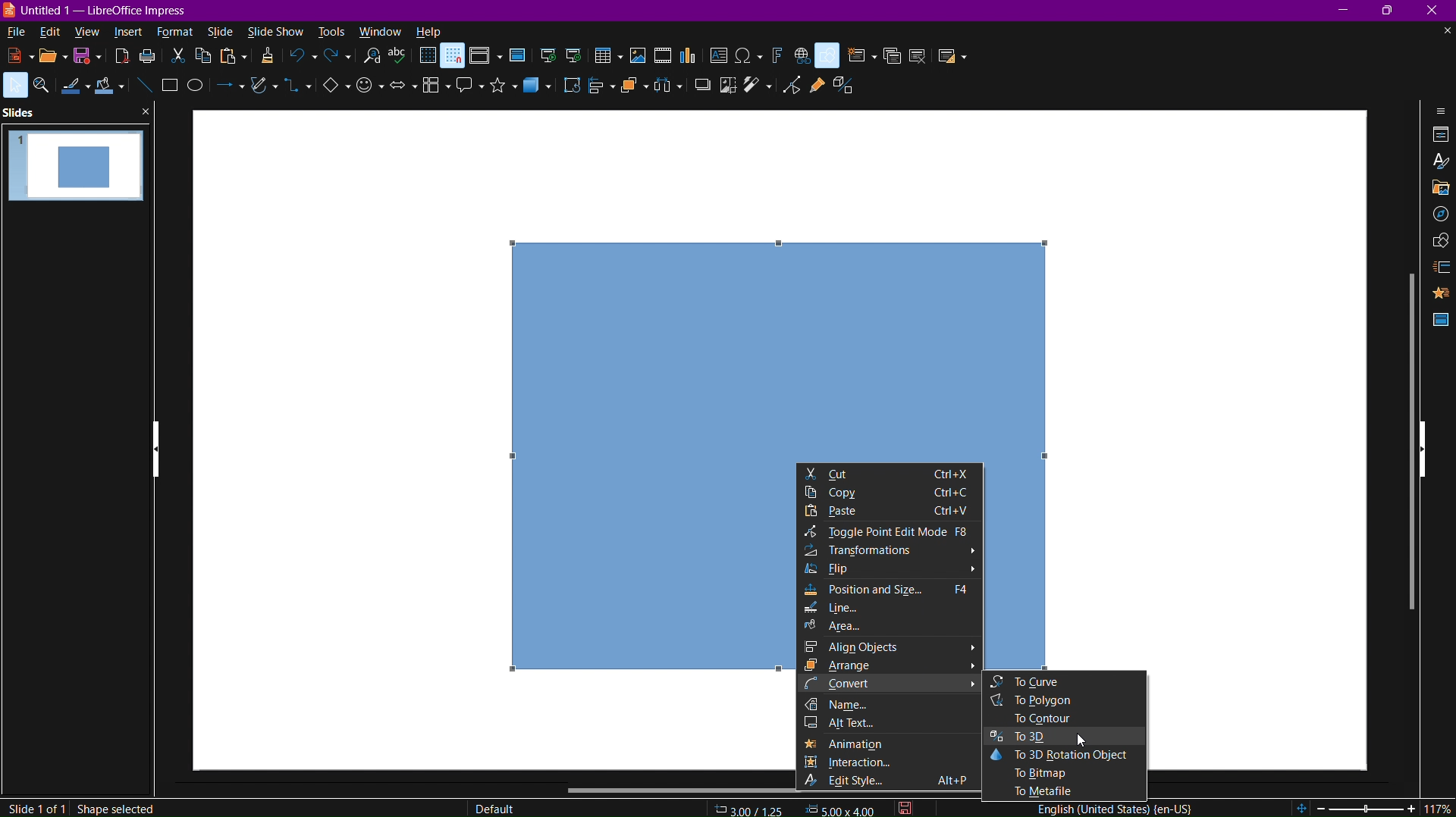 This screenshot has width=1456, height=817. What do you see at coordinates (262, 92) in the screenshot?
I see `Curves and Polygons` at bounding box center [262, 92].